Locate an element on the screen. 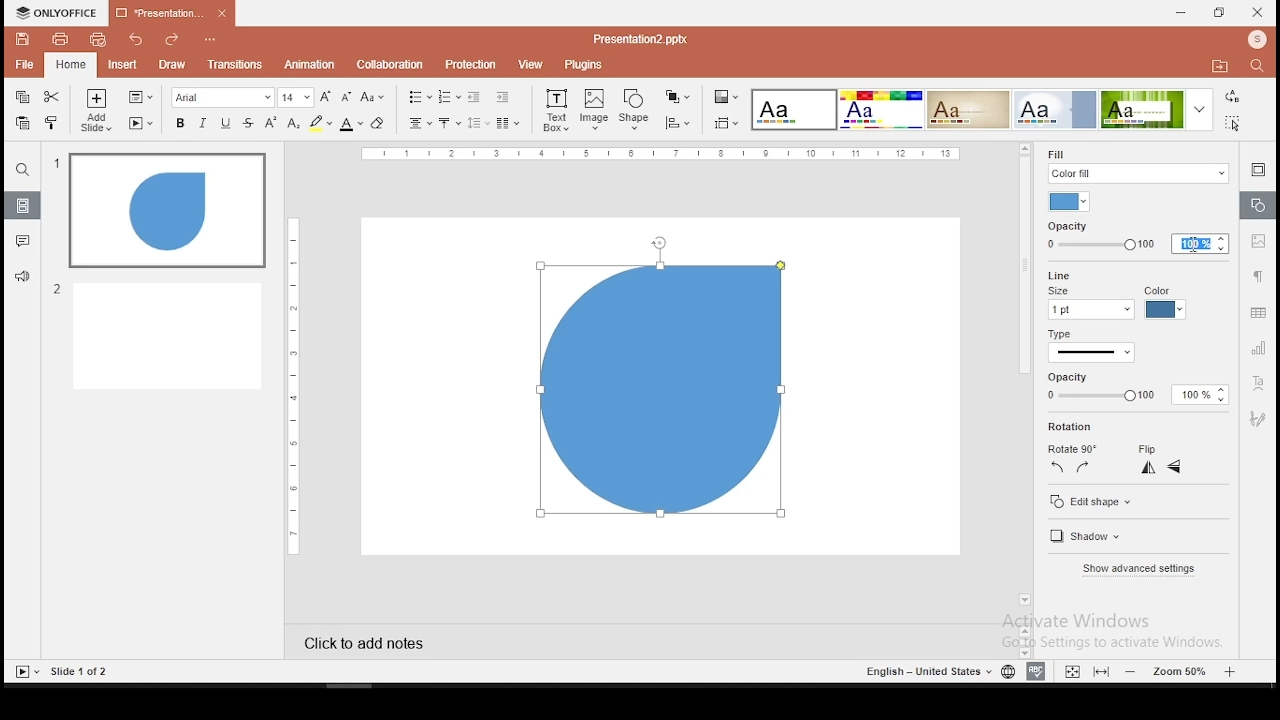  theme is located at coordinates (880, 109).